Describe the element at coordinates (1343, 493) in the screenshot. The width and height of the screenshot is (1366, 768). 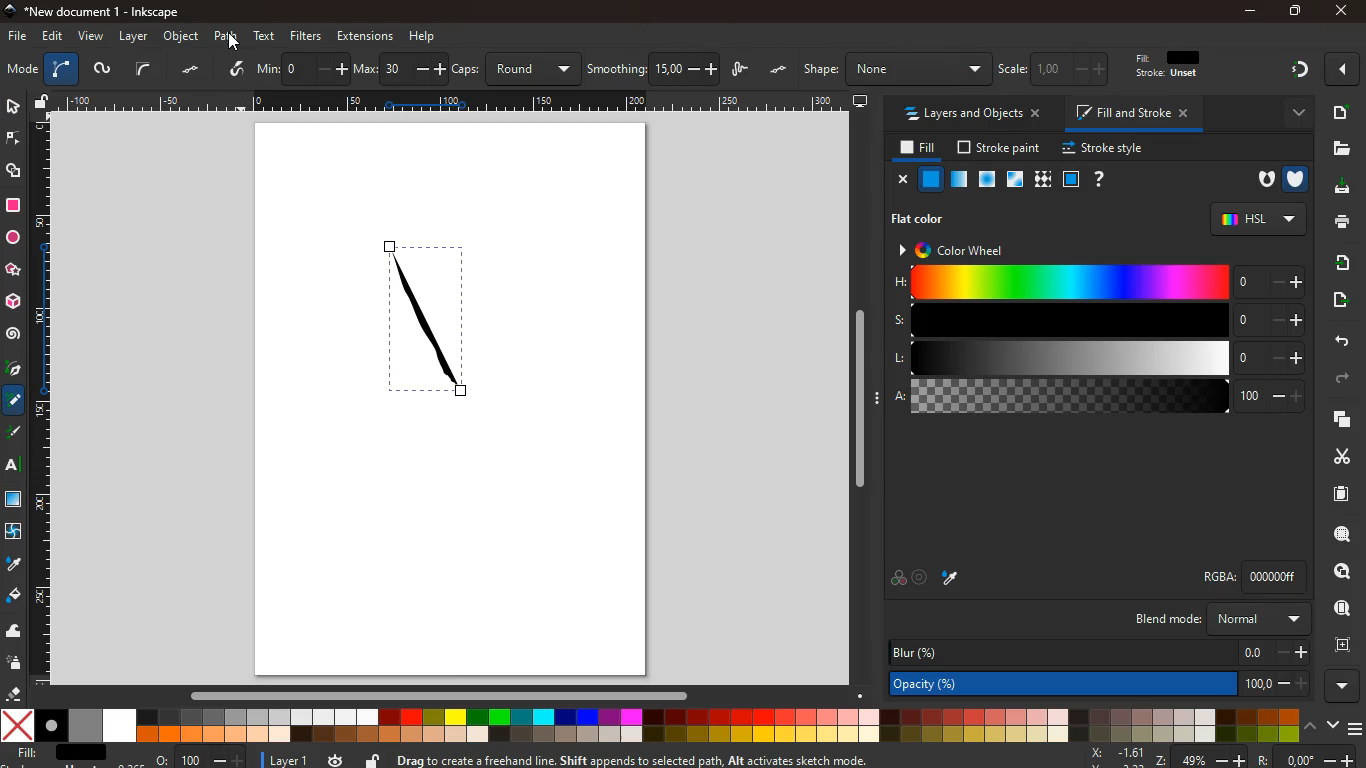
I see `document` at that location.